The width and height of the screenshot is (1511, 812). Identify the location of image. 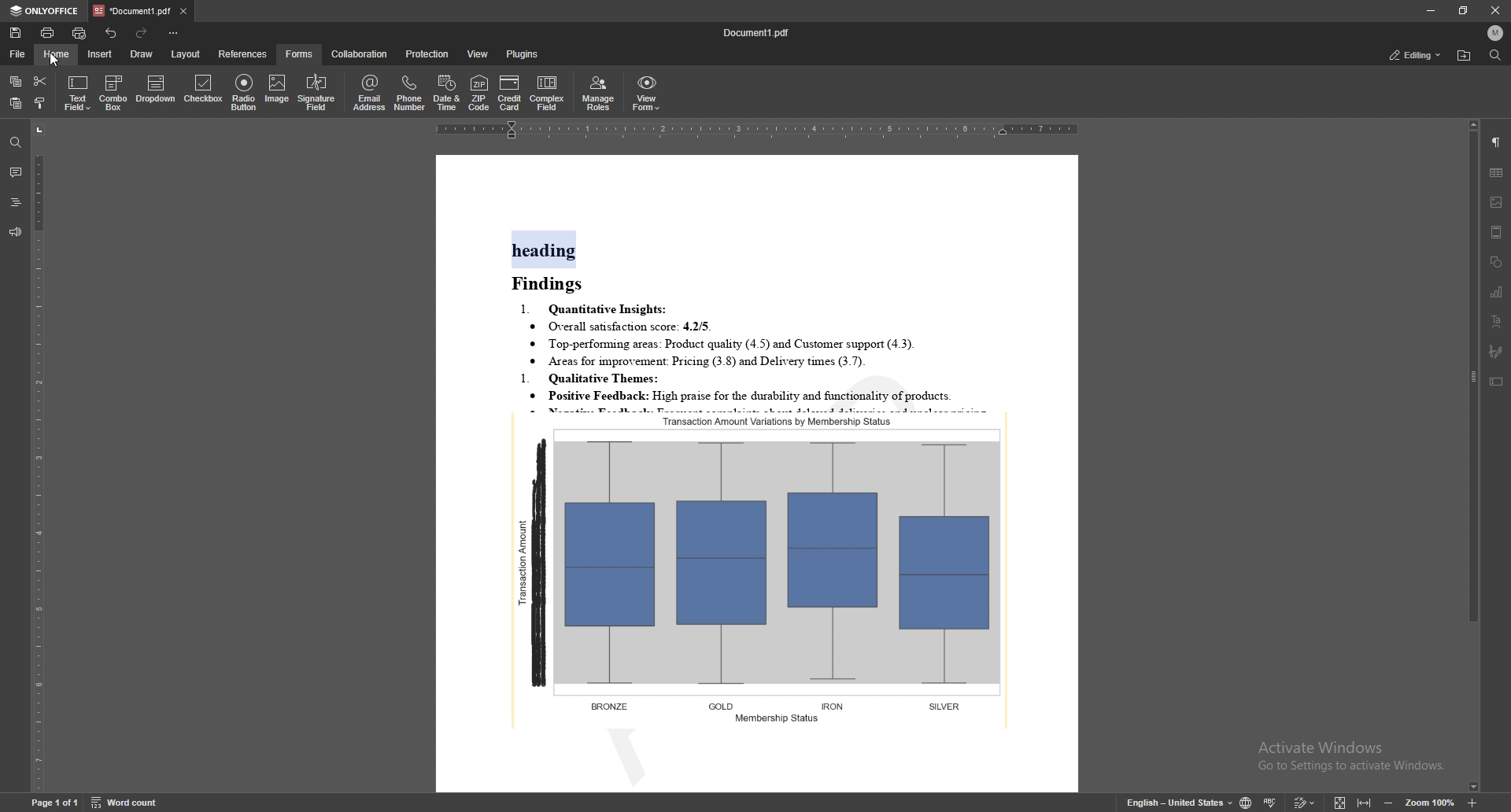
(1496, 202).